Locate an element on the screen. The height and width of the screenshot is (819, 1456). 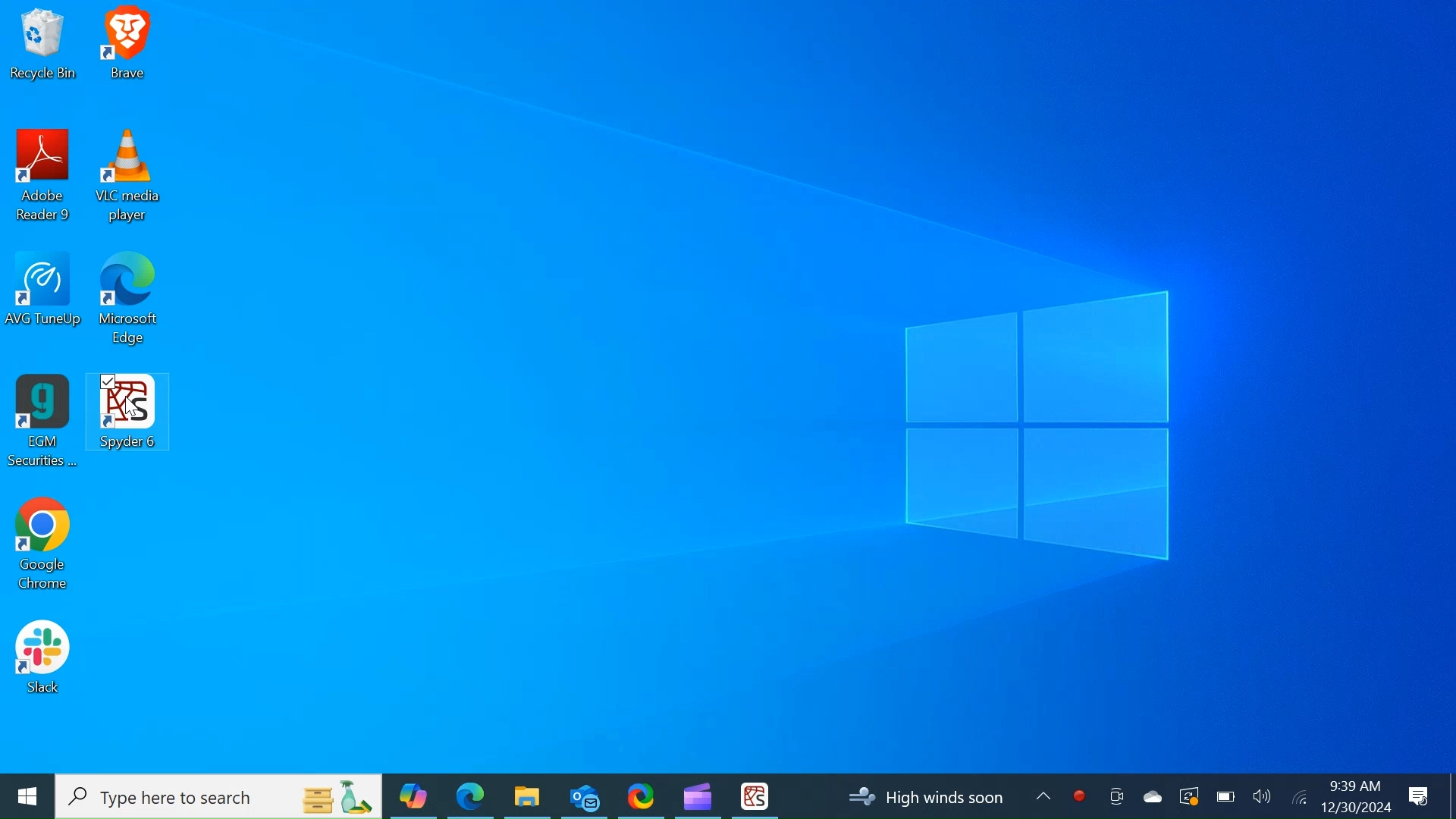
Microsoft Edge Desktop Icon is located at coordinates (130, 305).